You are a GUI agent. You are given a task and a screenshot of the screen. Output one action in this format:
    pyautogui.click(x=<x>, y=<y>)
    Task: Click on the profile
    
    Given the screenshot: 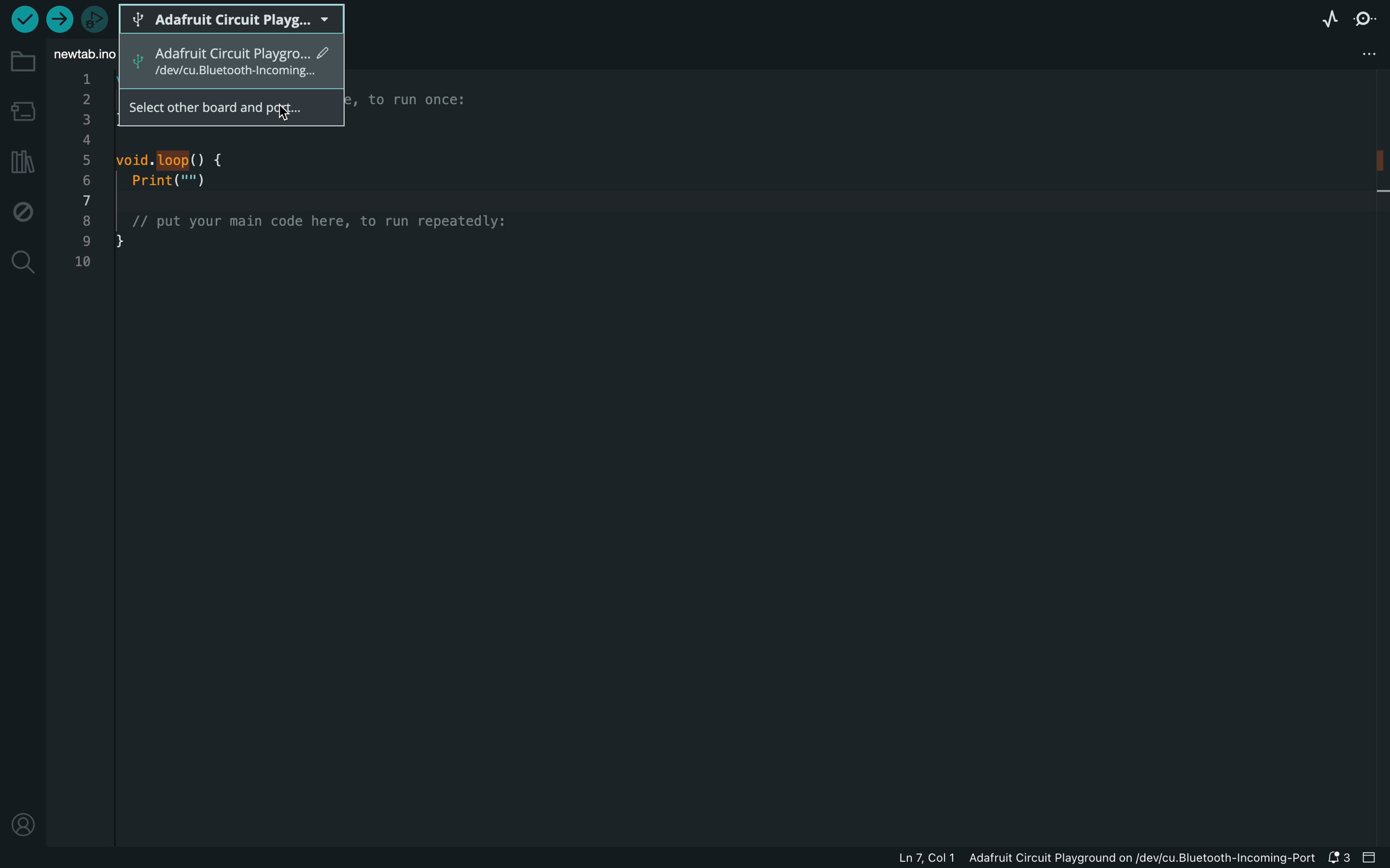 What is the action you would take?
    pyautogui.click(x=26, y=824)
    